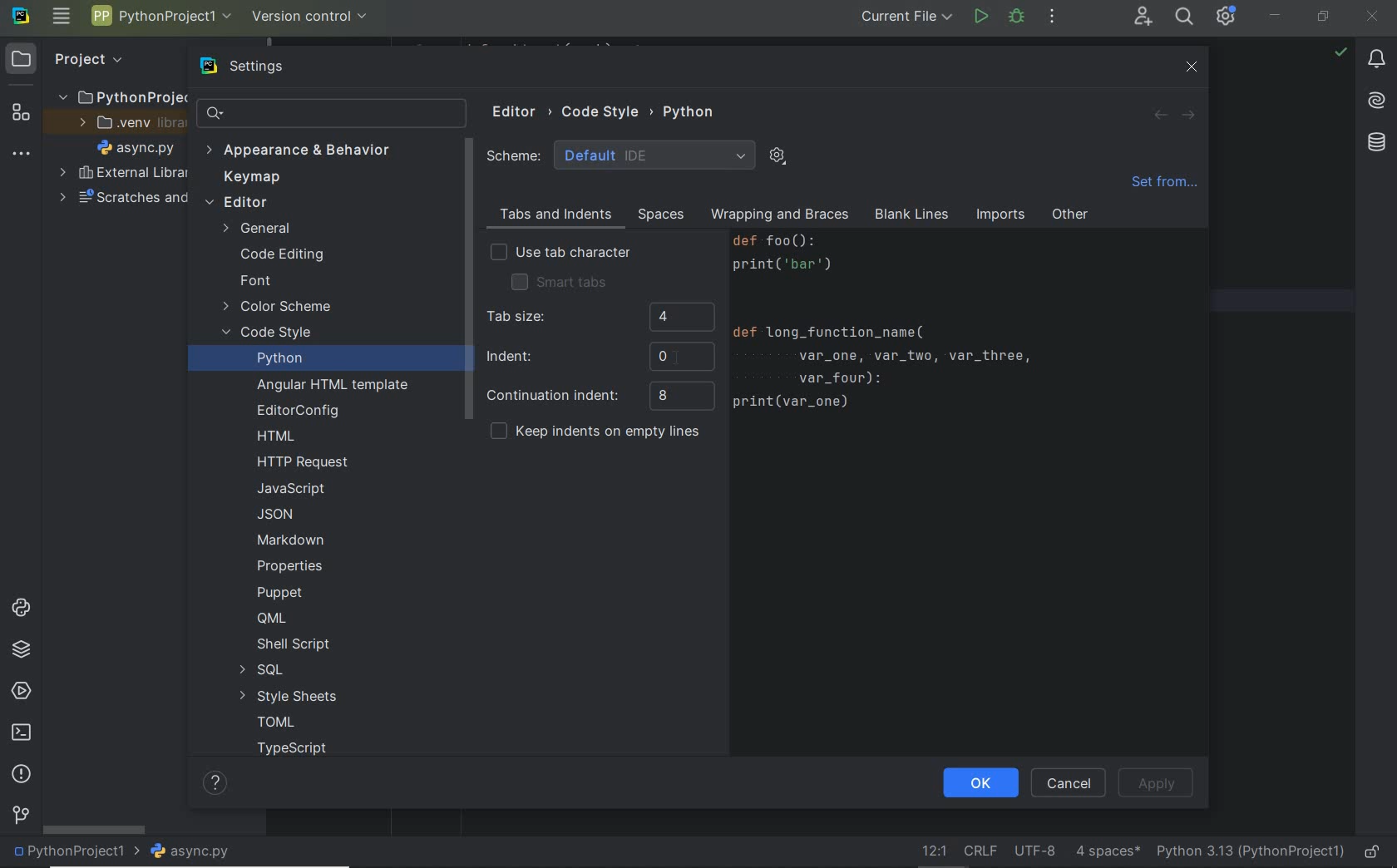 This screenshot has width=1397, height=868. Describe the element at coordinates (93, 830) in the screenshot. I see `scrollbar` at that location.